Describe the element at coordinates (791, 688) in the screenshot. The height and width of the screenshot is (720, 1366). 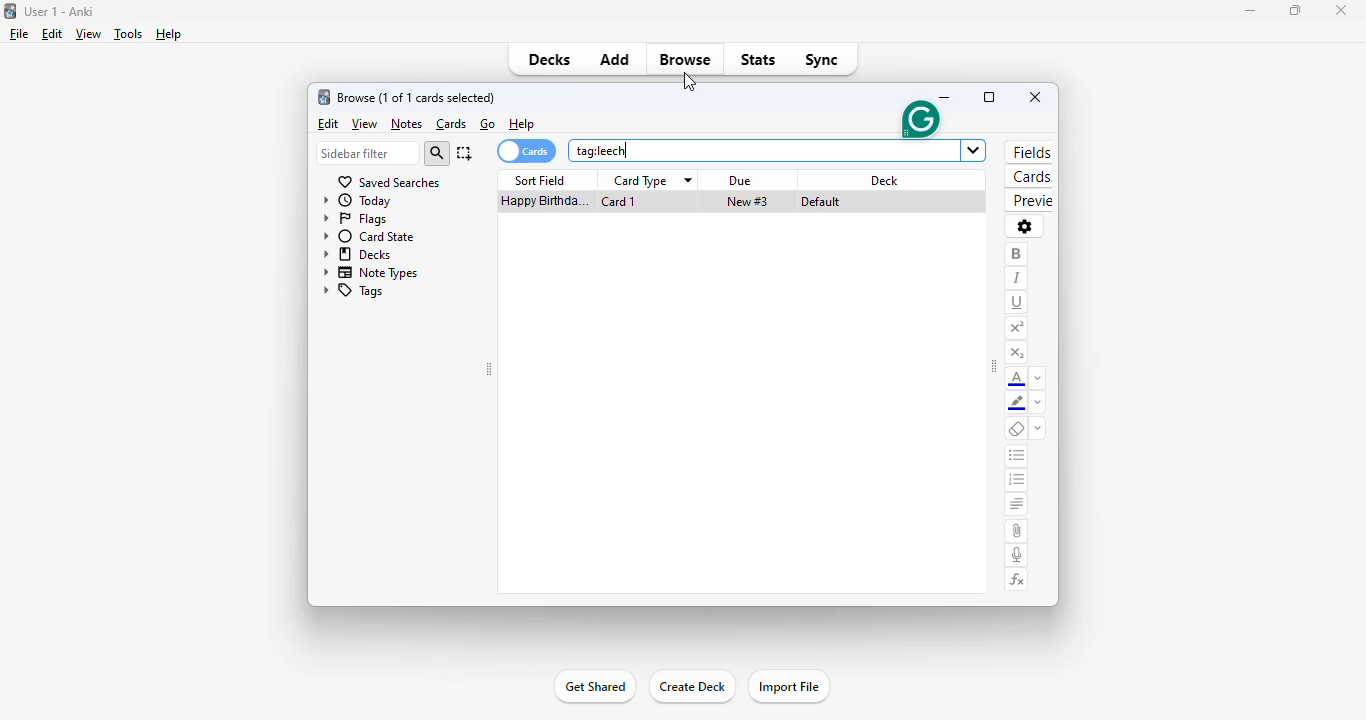
I see `import file` at that location.